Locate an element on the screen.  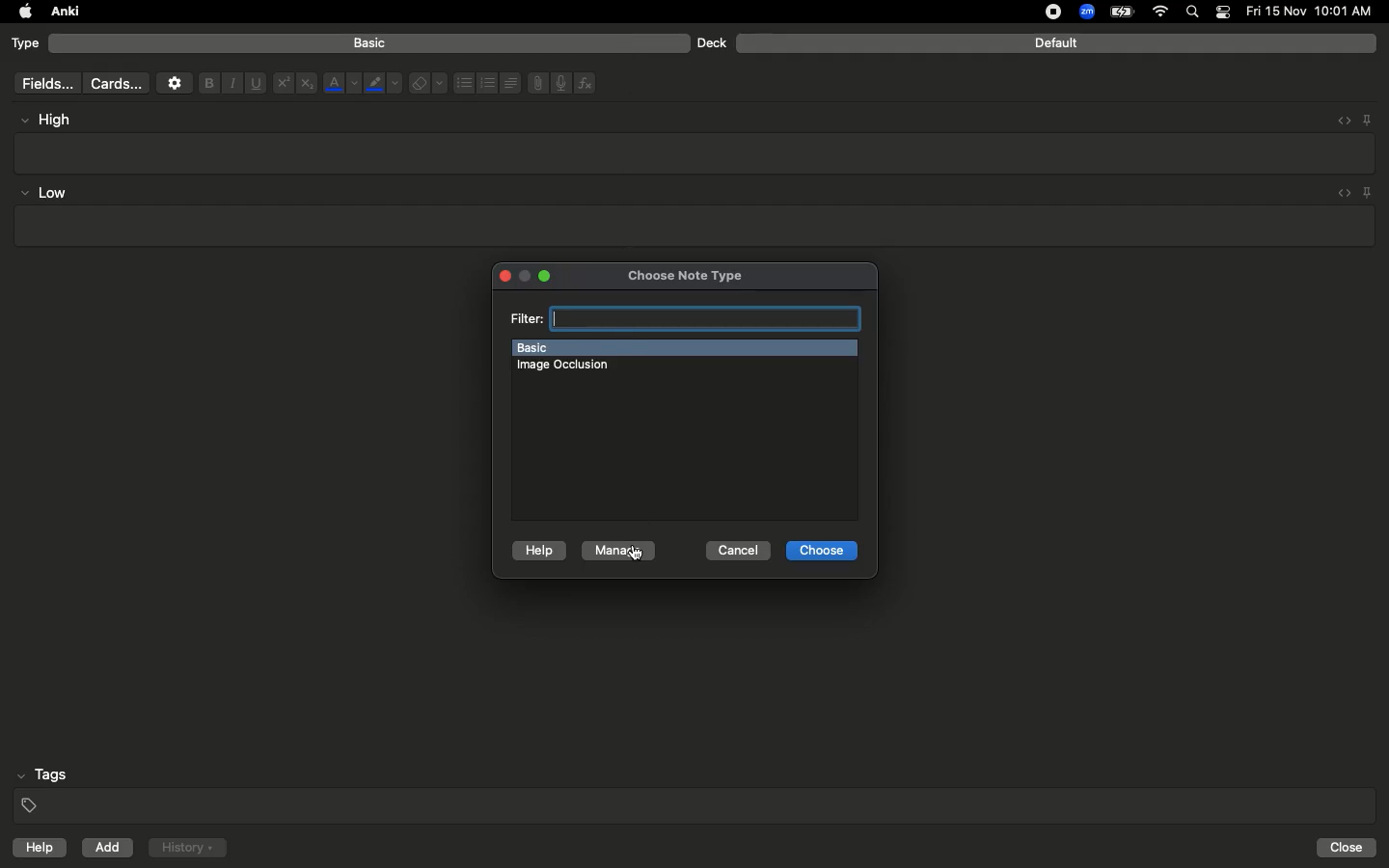
Bullet is located at coordinates (463, 83).